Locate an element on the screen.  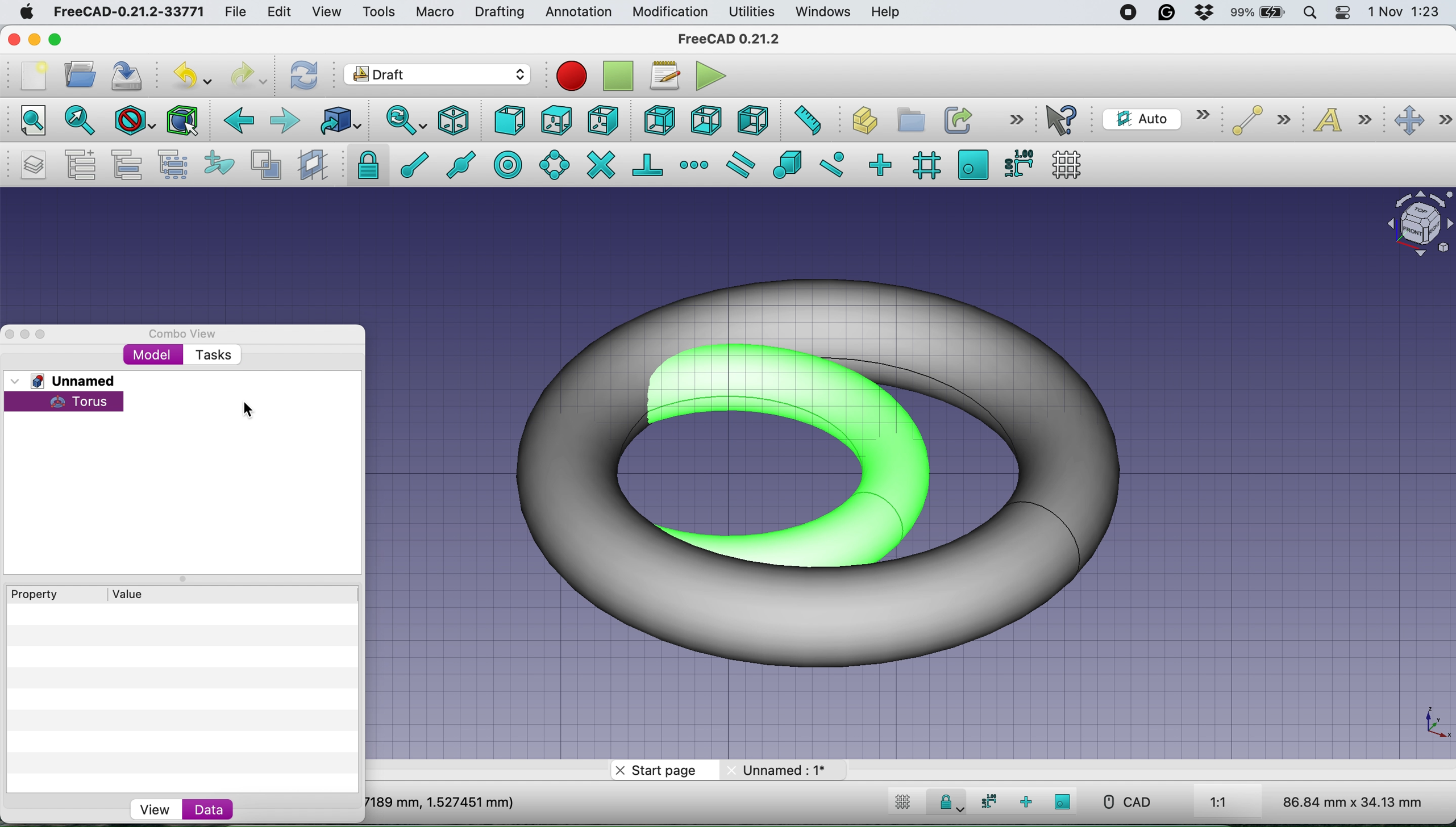
Data is located at coordinates (211, 808).